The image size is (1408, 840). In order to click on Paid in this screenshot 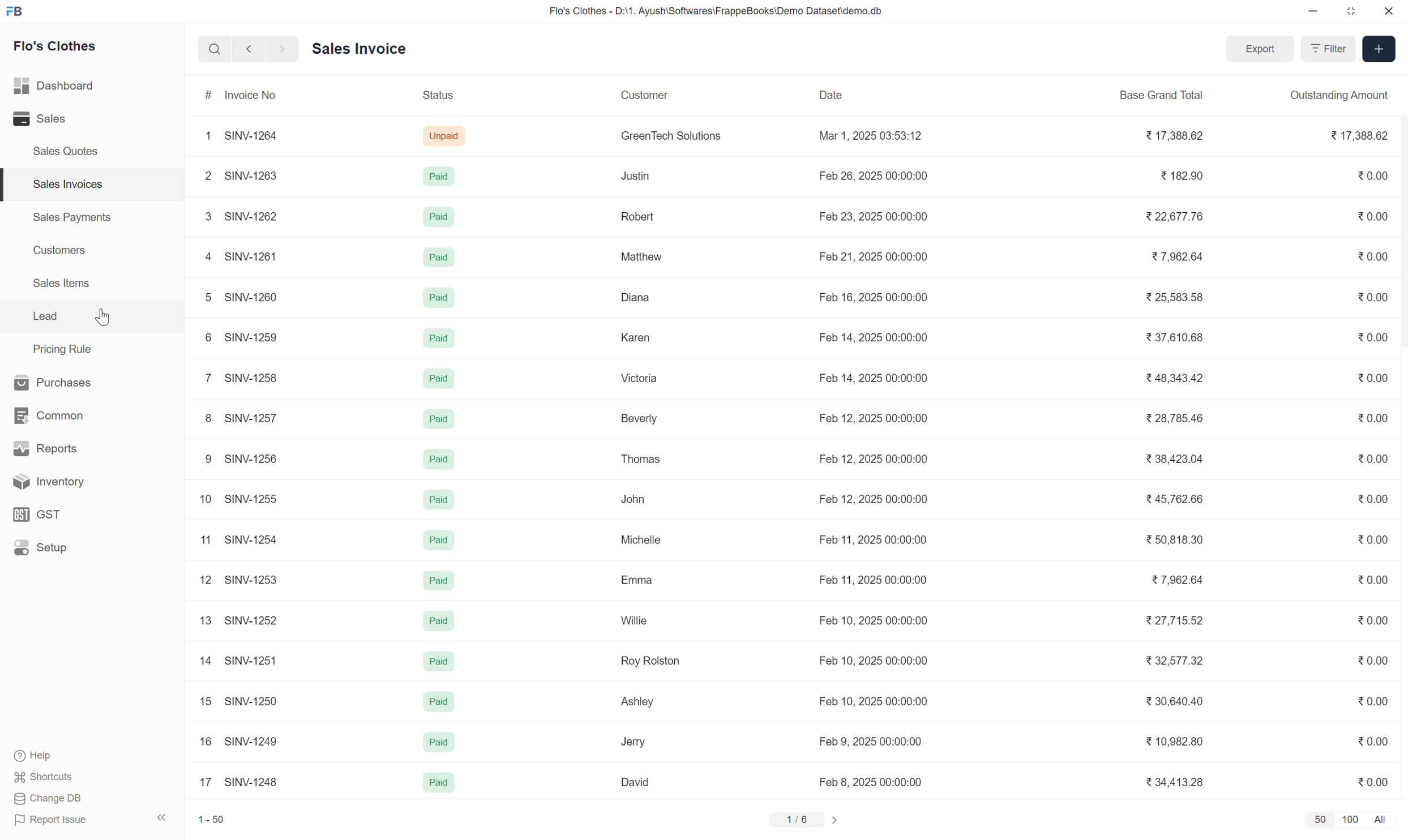, I will do `click(438, 459)`.